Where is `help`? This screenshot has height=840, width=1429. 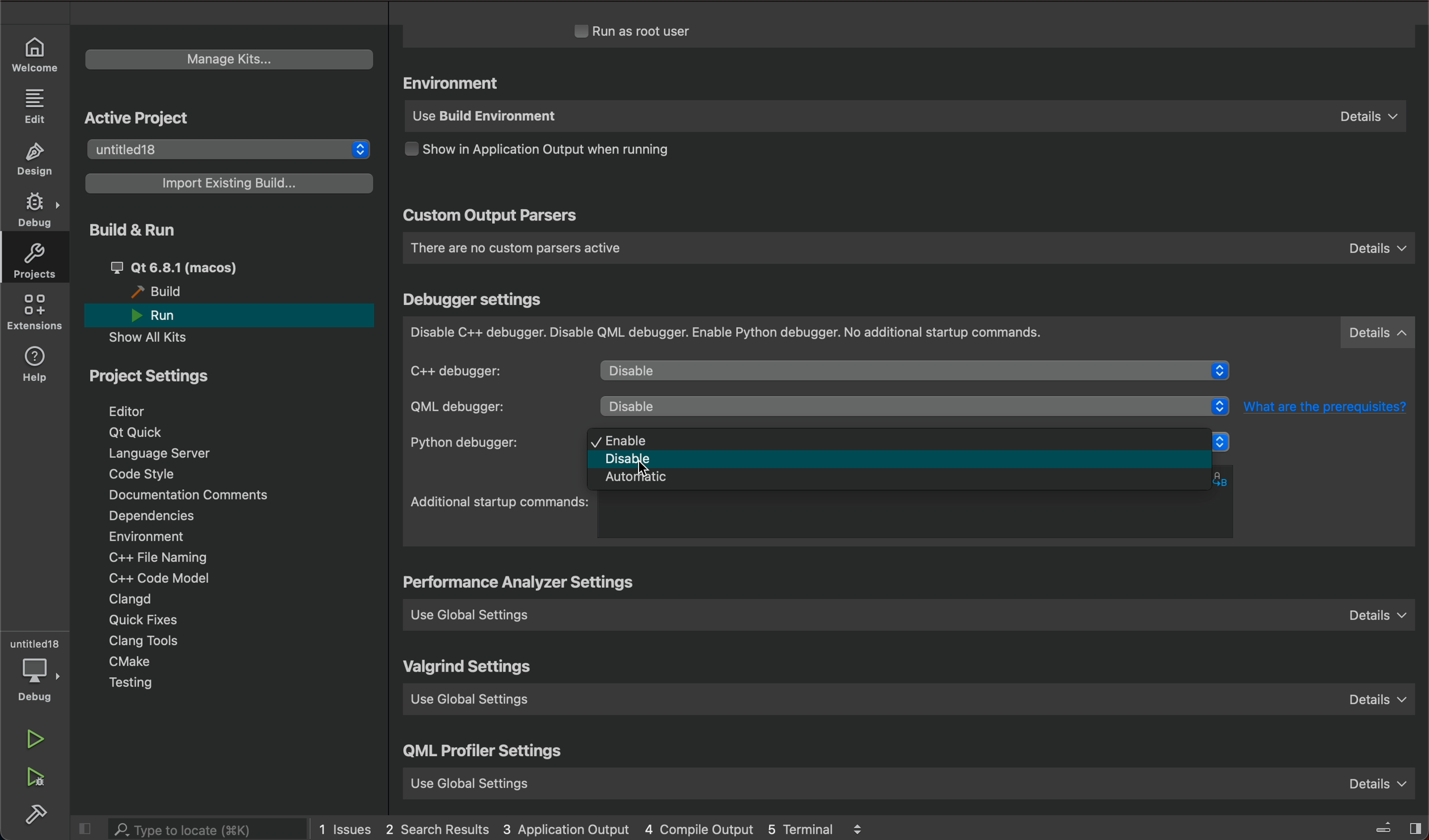
help is located at coordinates (39, 364).